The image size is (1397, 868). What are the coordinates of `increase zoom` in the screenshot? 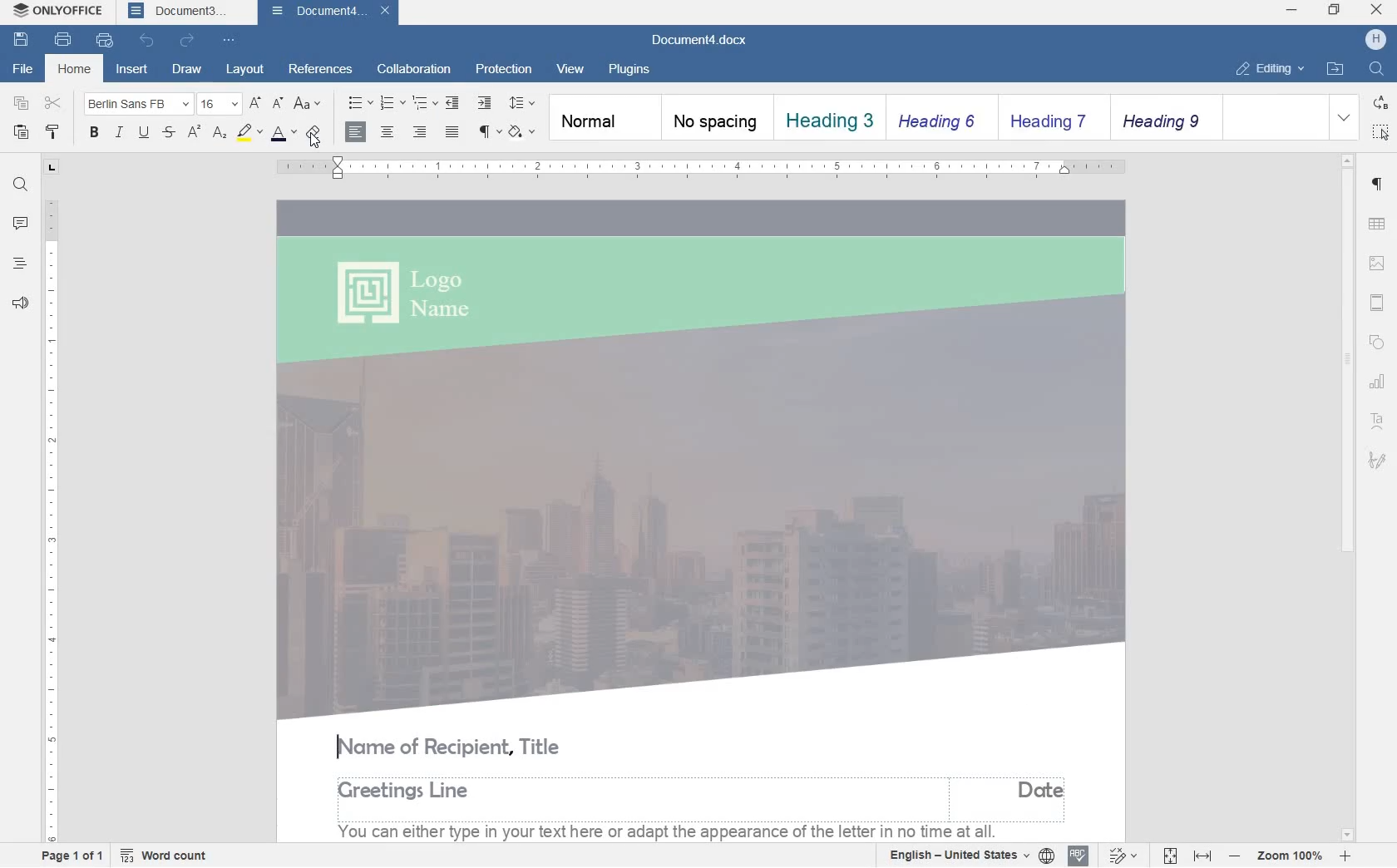 It's located at (1349, 854).